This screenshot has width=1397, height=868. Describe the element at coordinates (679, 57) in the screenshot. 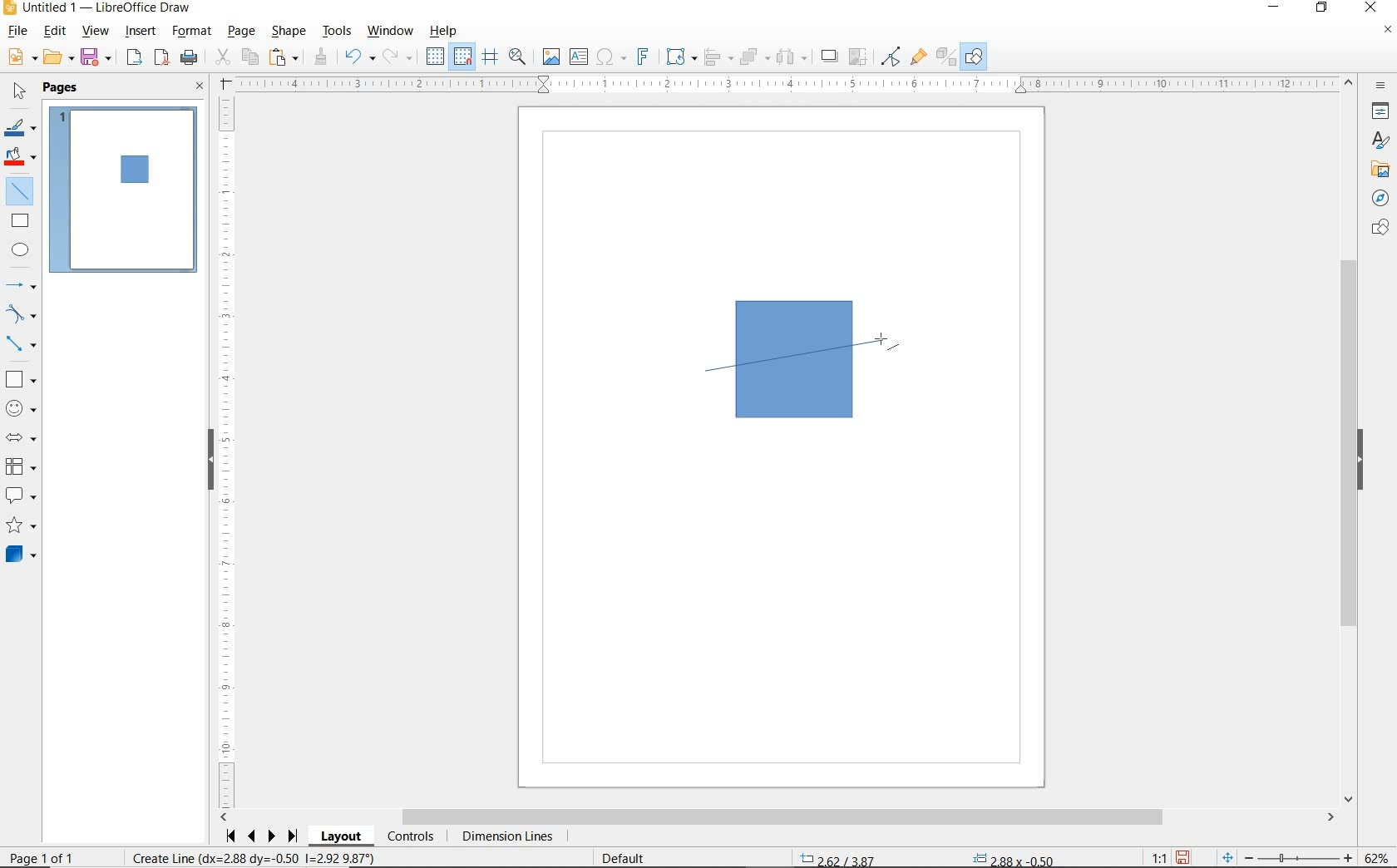

I see `TRANSFORMATIONS` at that location.